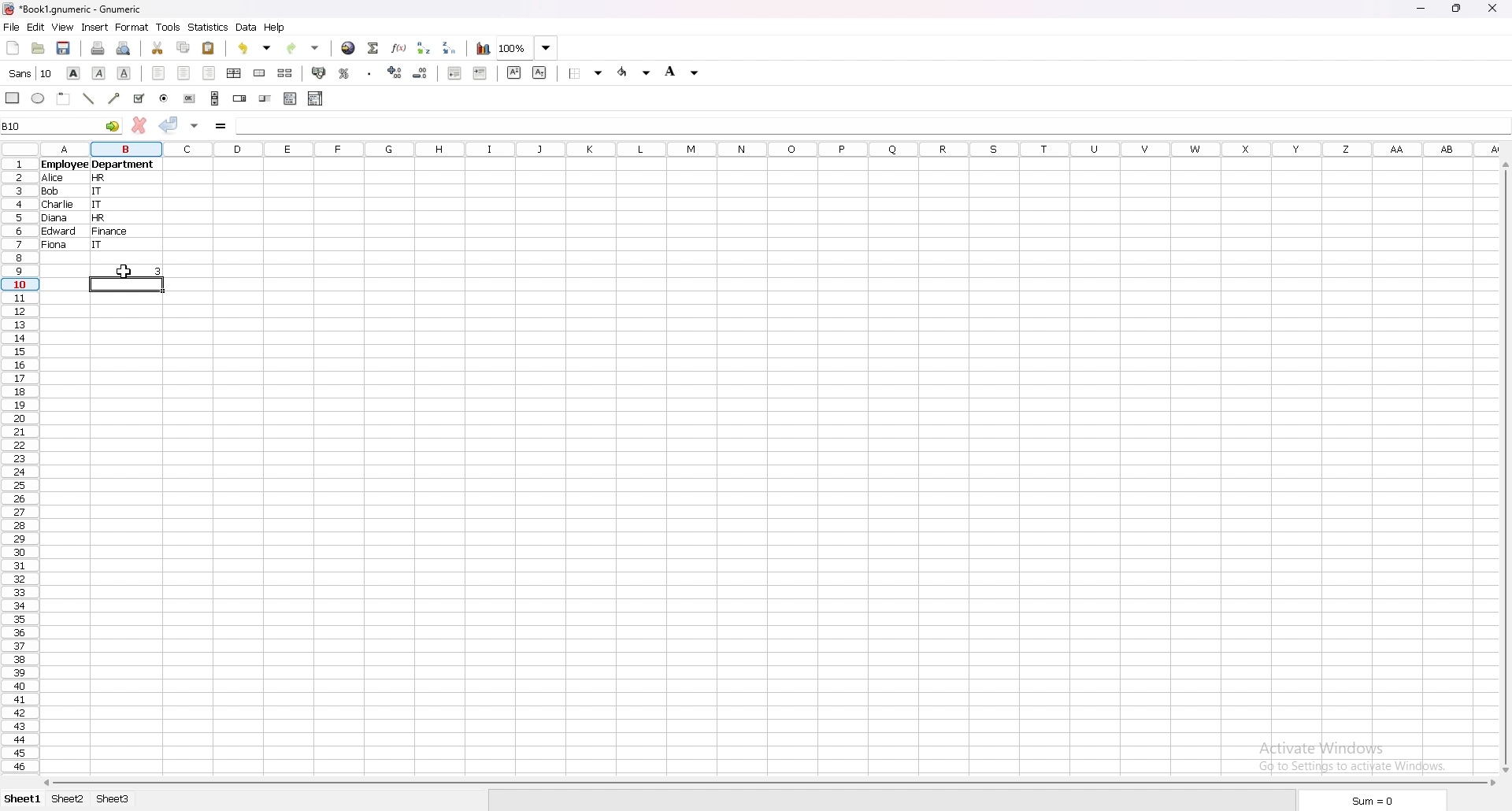 The width and height of the screenshot is (1512, 811). I want to click on HR, so click(100, 220).